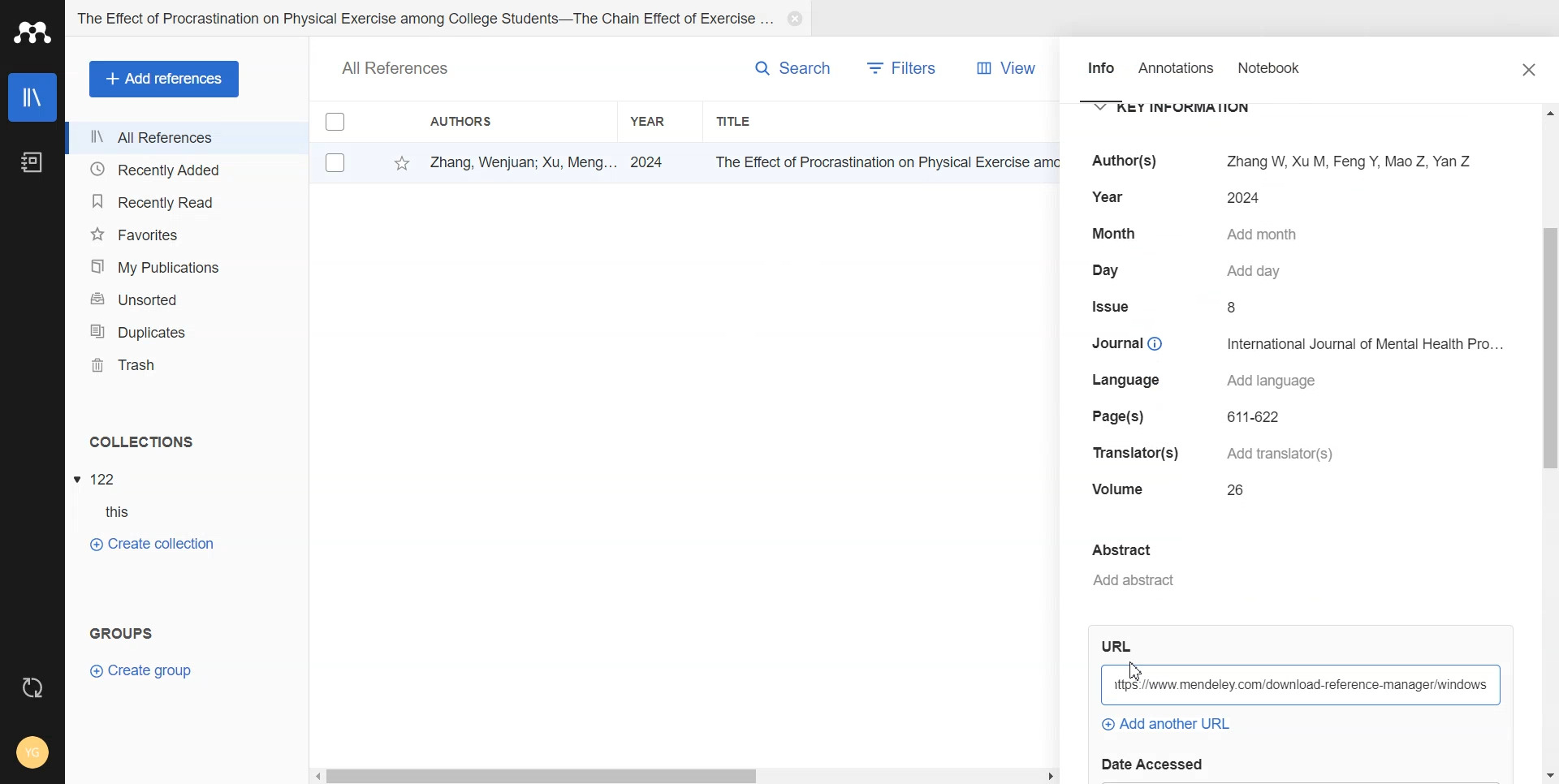 This screenshot has height=784, width=1559. Describe the element at coordinates (1531, 70) in the screenshot. I see `Close` at that location.